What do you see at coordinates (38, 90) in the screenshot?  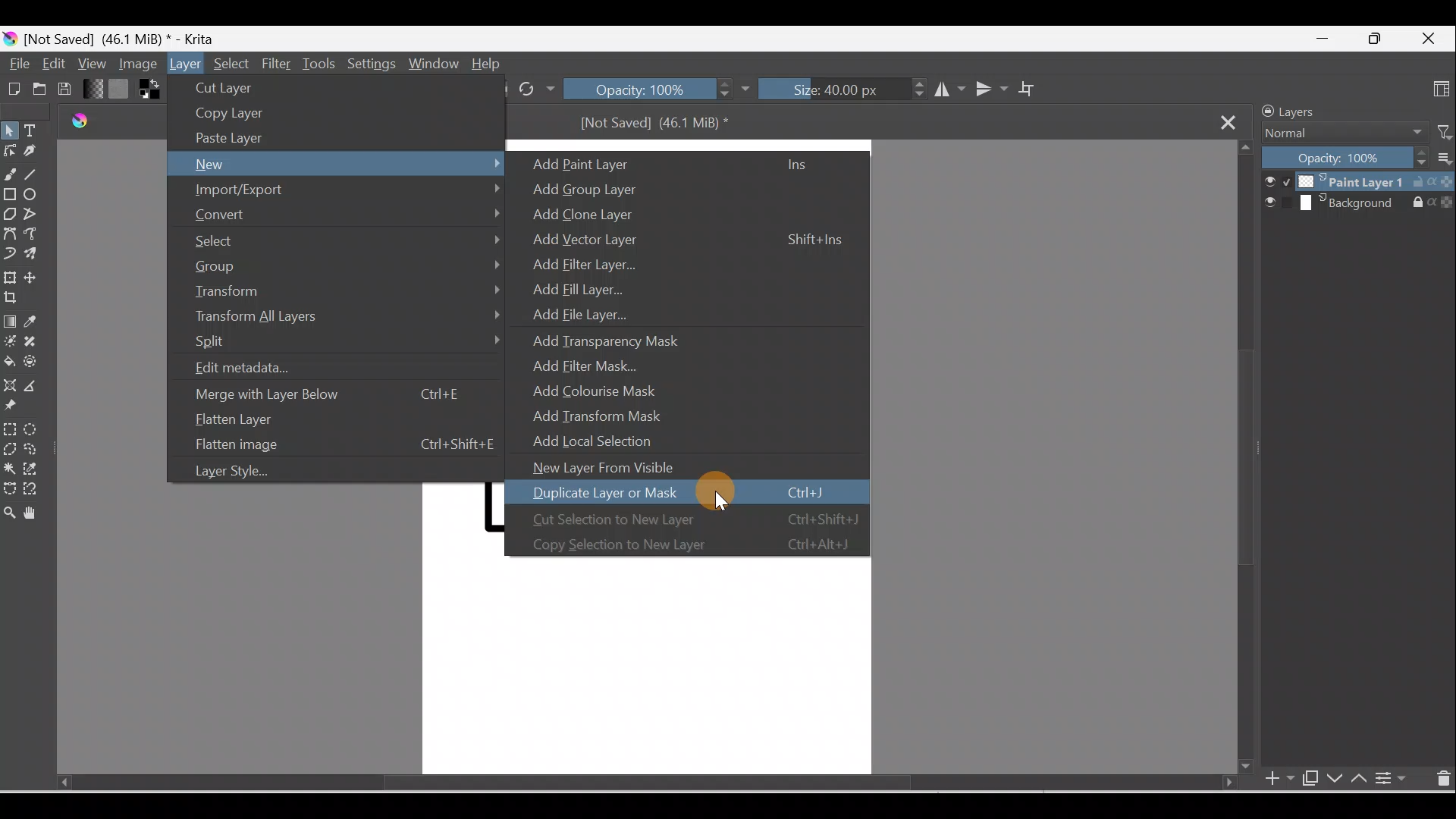 I see `Open existing document` at bounding box center [38, 90].